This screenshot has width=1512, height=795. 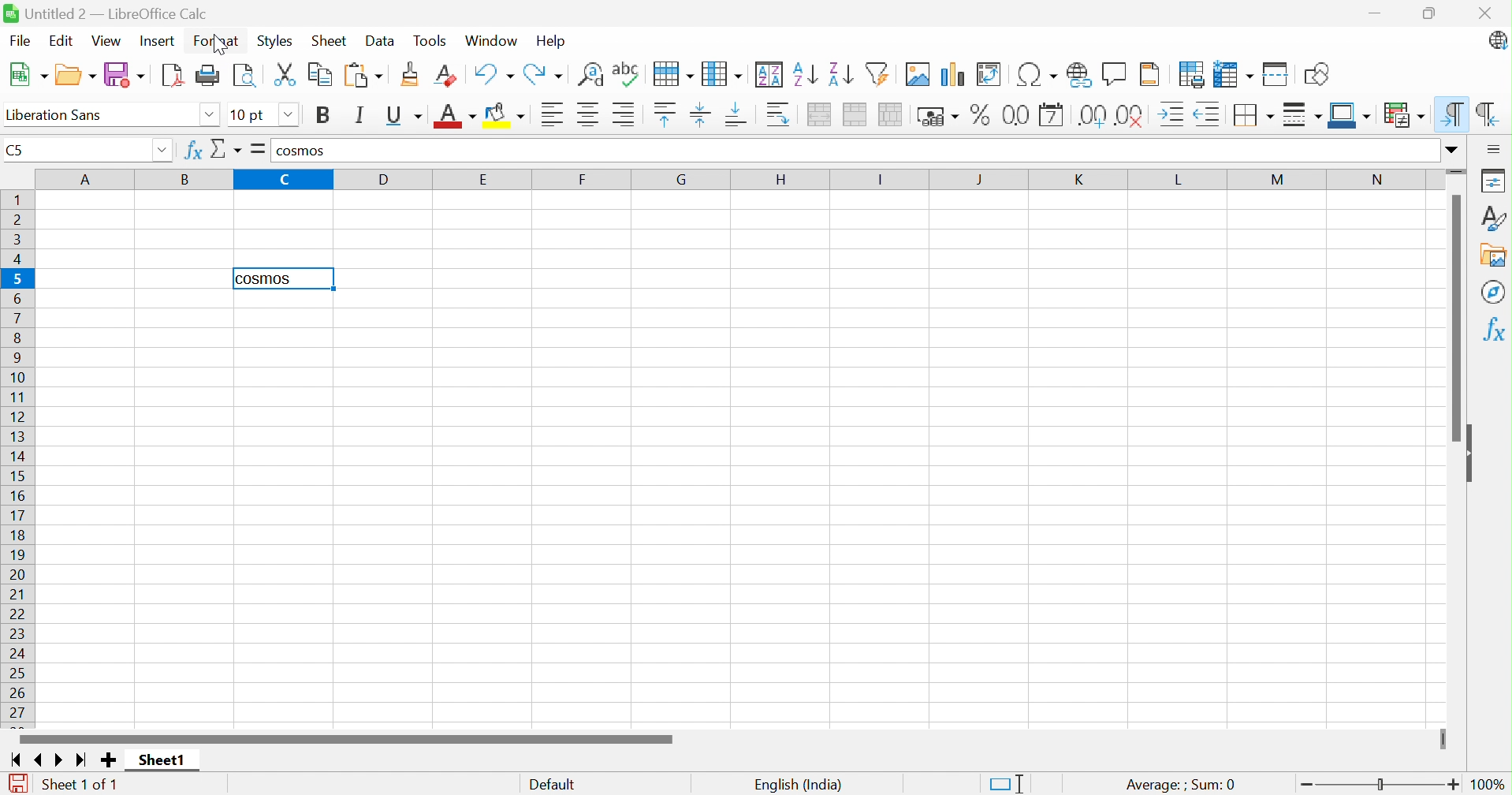 What do you see at coordinates (552, 42) in the screenshot?
I see `Help` at bounding box center [552, 42].